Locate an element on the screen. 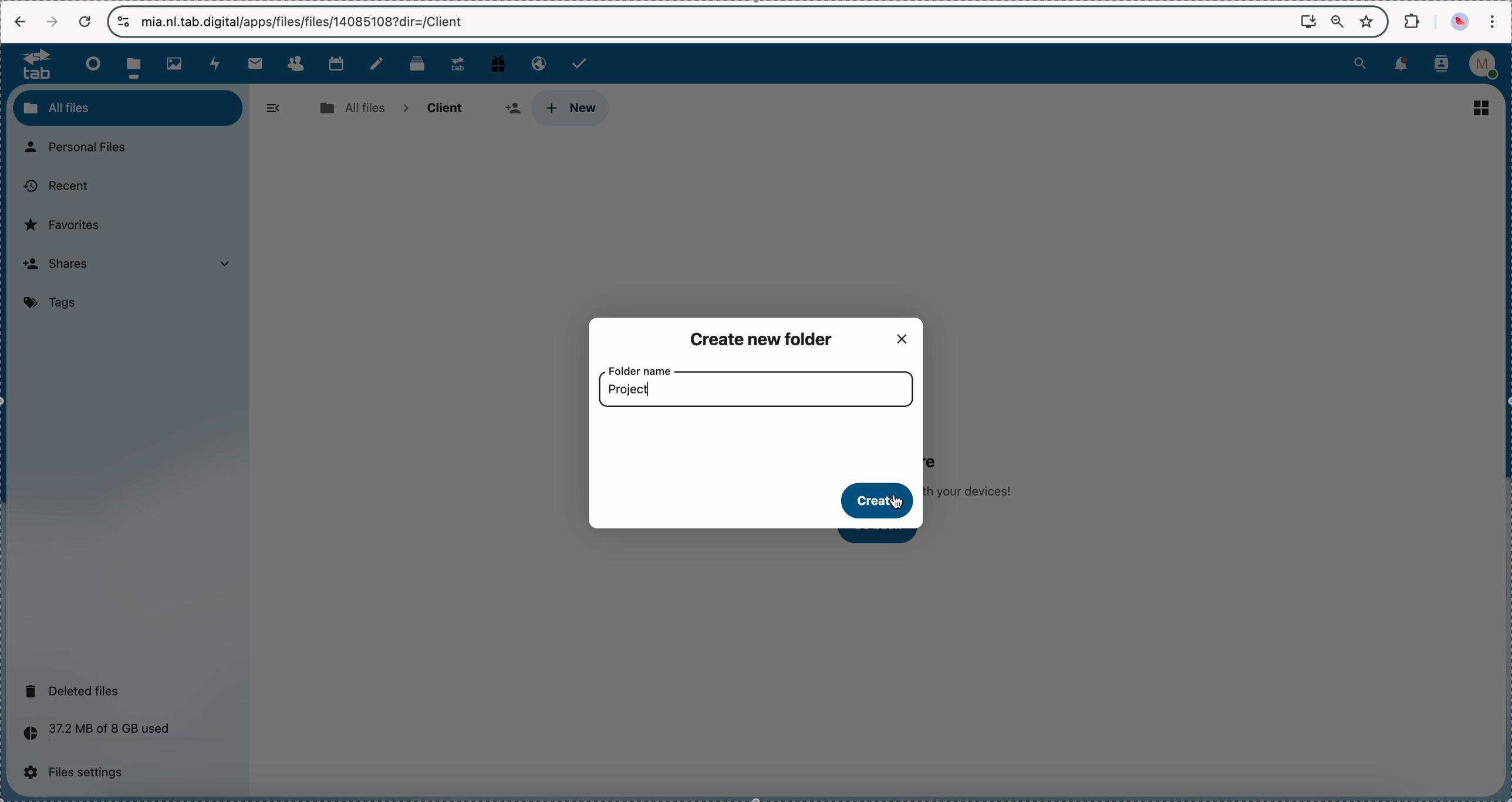 The width and height of the screenshot is (1512, 802). favorites is located at coordinates (1369, 21).